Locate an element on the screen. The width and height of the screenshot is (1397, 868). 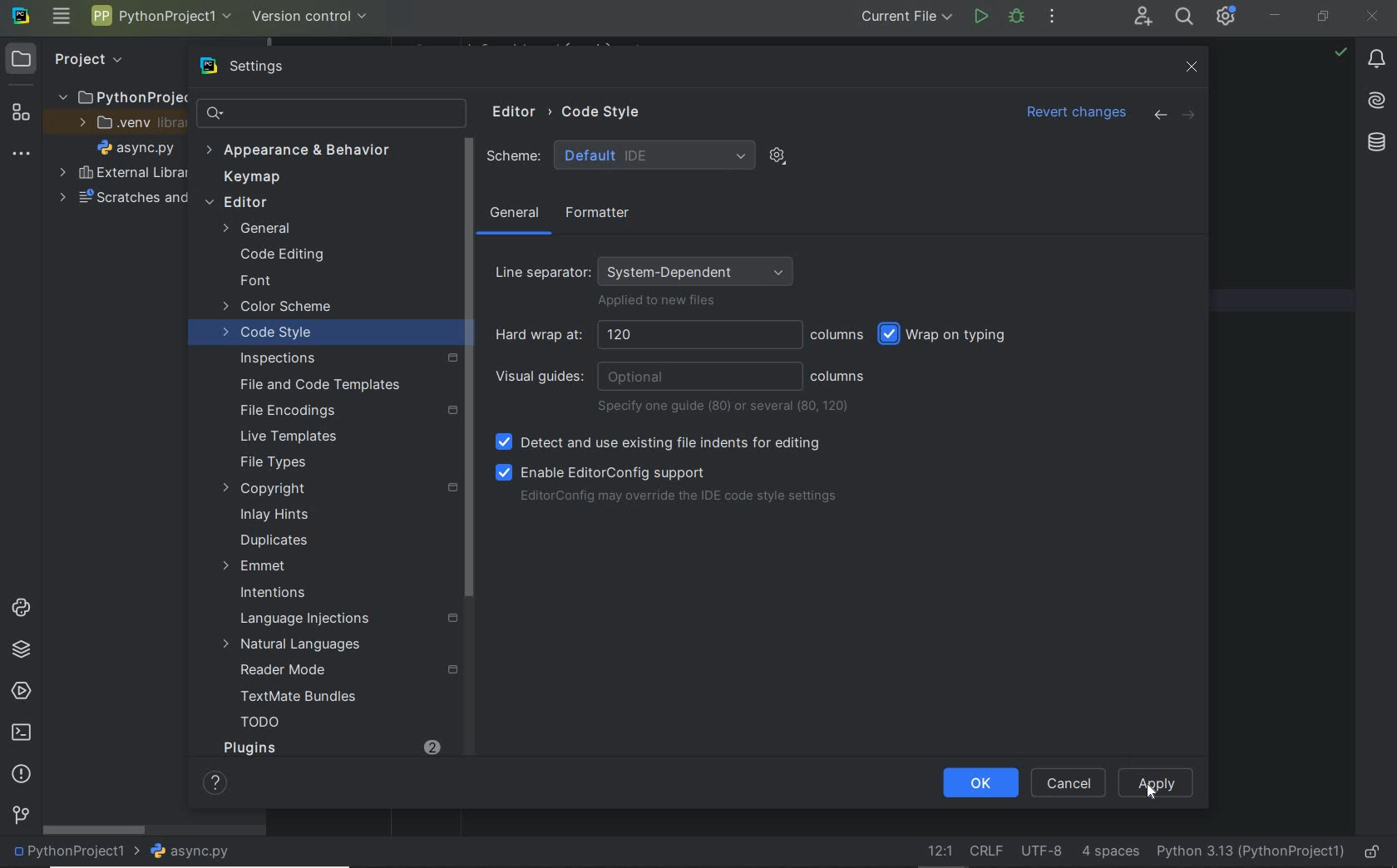
close is located at coordinates (1192, 66).